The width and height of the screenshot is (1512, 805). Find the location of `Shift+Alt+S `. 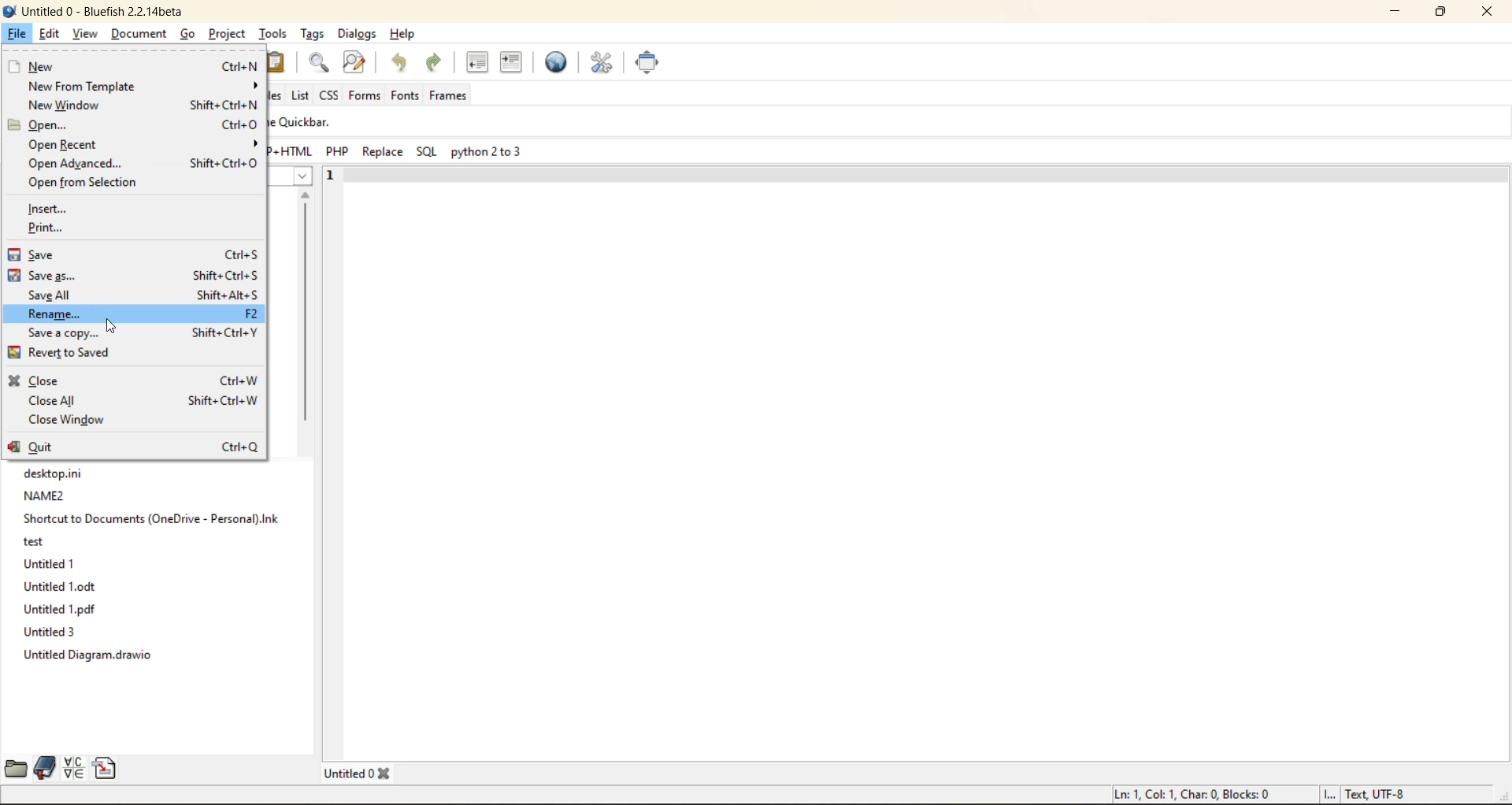

Shift+Alt+S  is located at coordinates (232, 293).